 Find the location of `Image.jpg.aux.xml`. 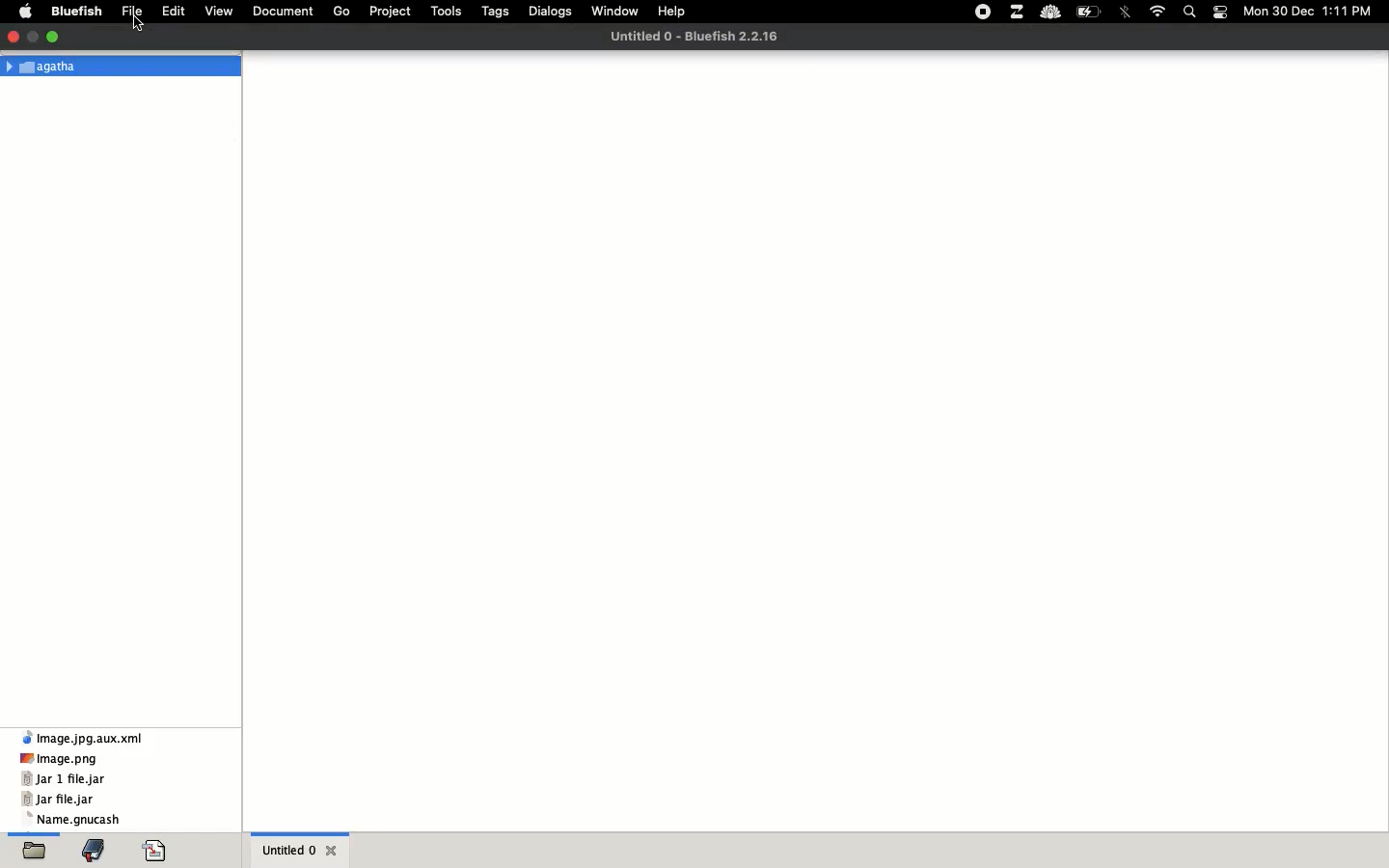

Image.jpg.aux.xml is located at coordinates (87, 738).